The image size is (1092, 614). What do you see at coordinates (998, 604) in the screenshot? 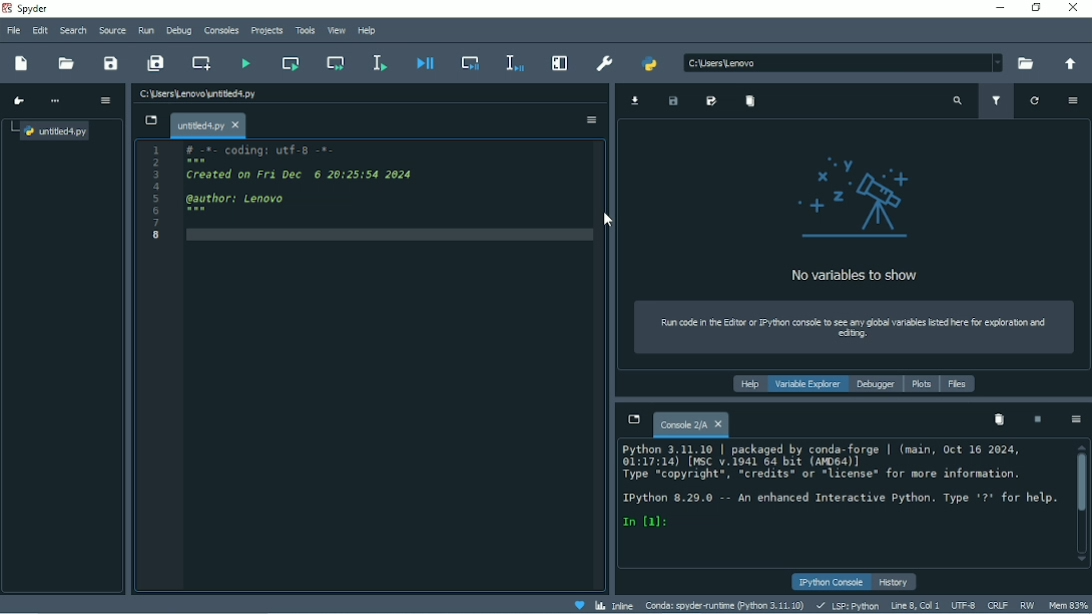
I see `CRLF` at bounding box center [998, 604].